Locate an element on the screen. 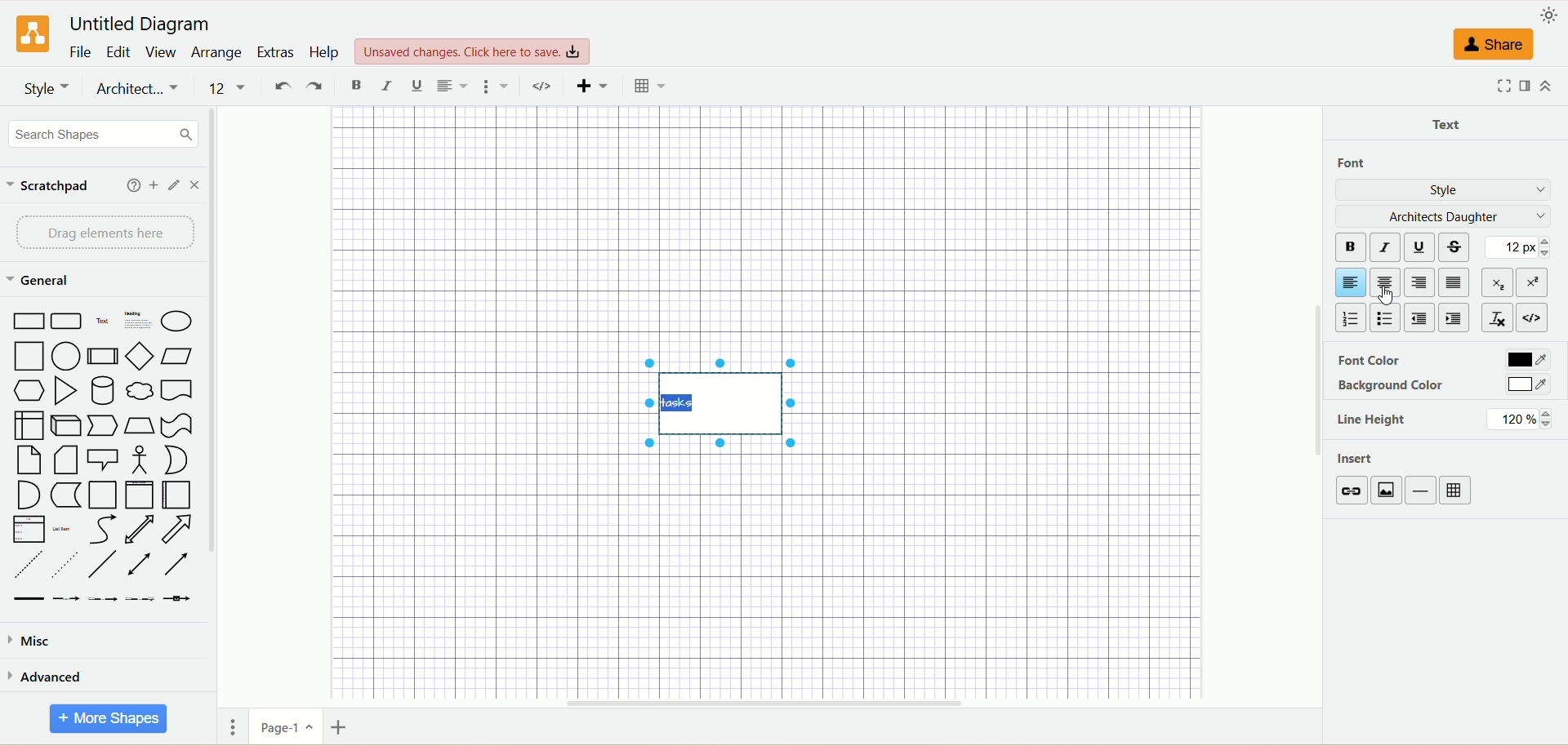  Bold is located at coordinates (358, 87).